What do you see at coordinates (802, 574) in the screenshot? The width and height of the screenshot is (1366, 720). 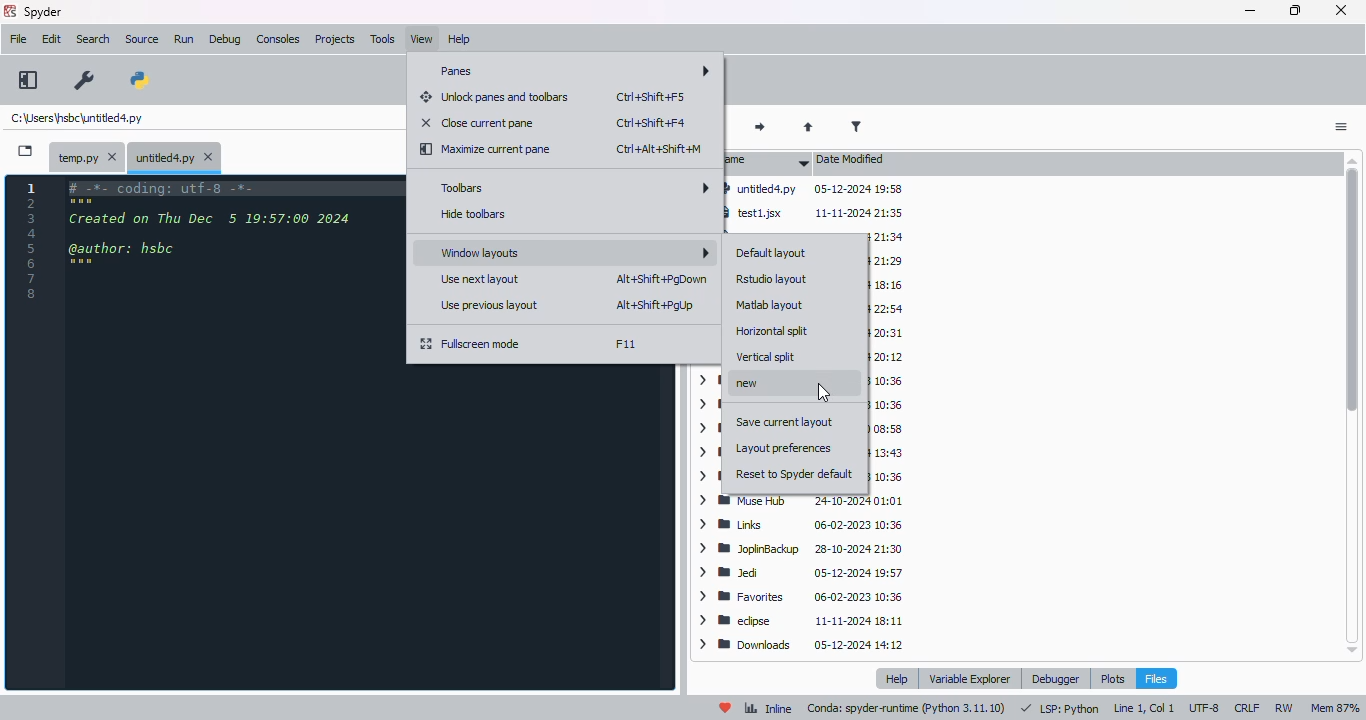 I see `Jedi` at bounding box center [802, 574].